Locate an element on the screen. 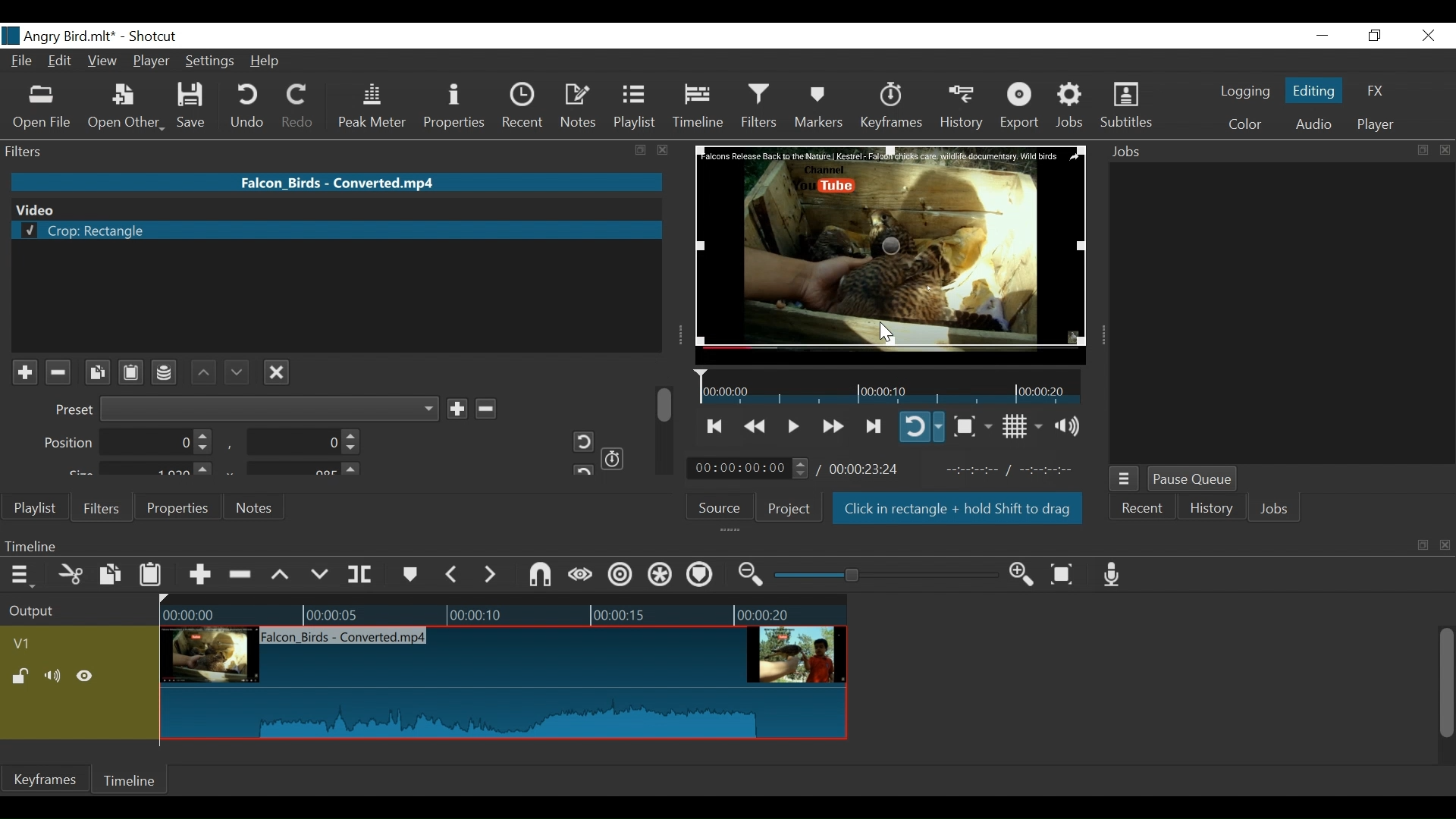  Settings is located at coordinates (211, 63).